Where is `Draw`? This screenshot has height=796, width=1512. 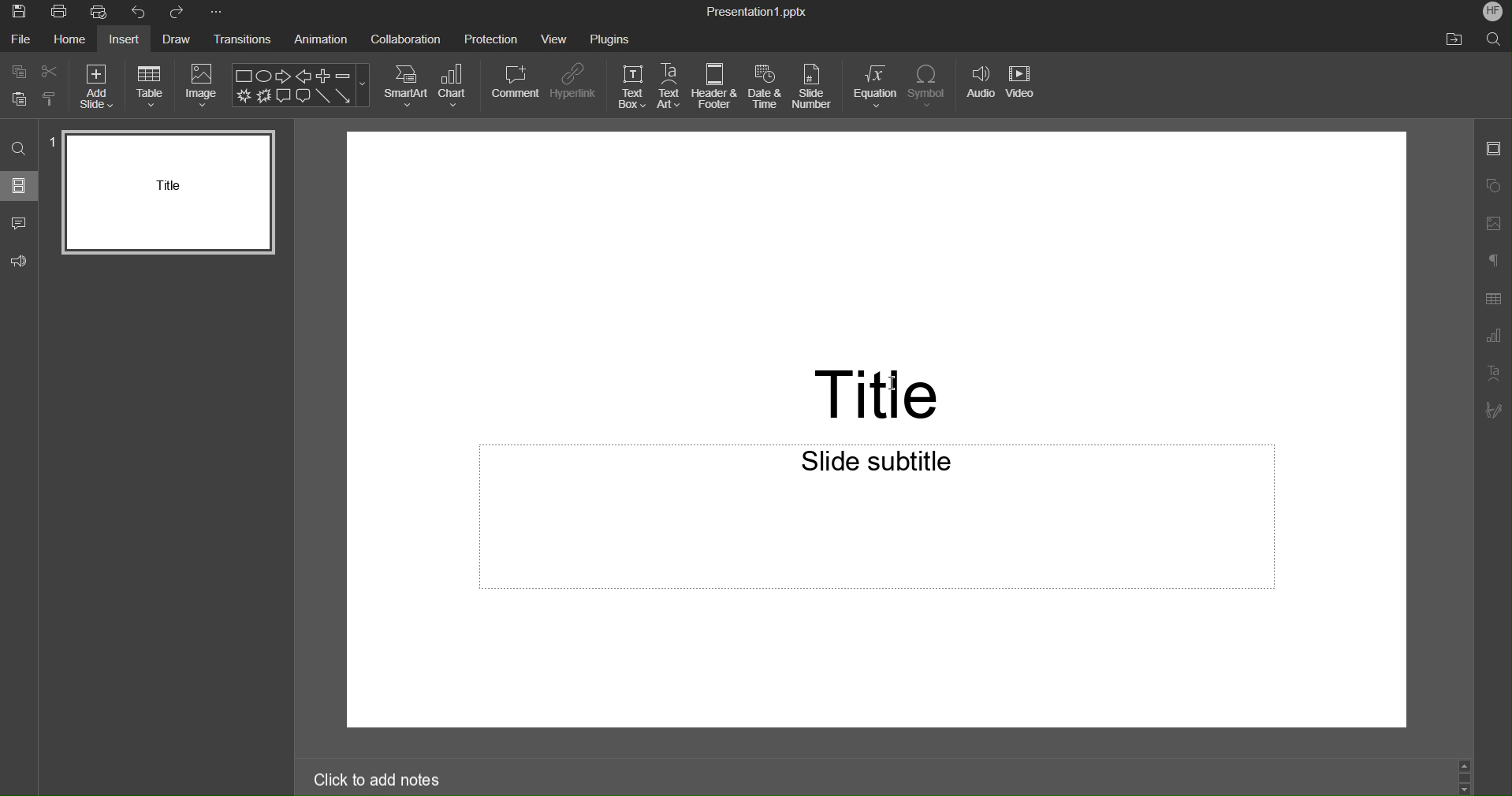
Draw is located at coordinates (174, 41).